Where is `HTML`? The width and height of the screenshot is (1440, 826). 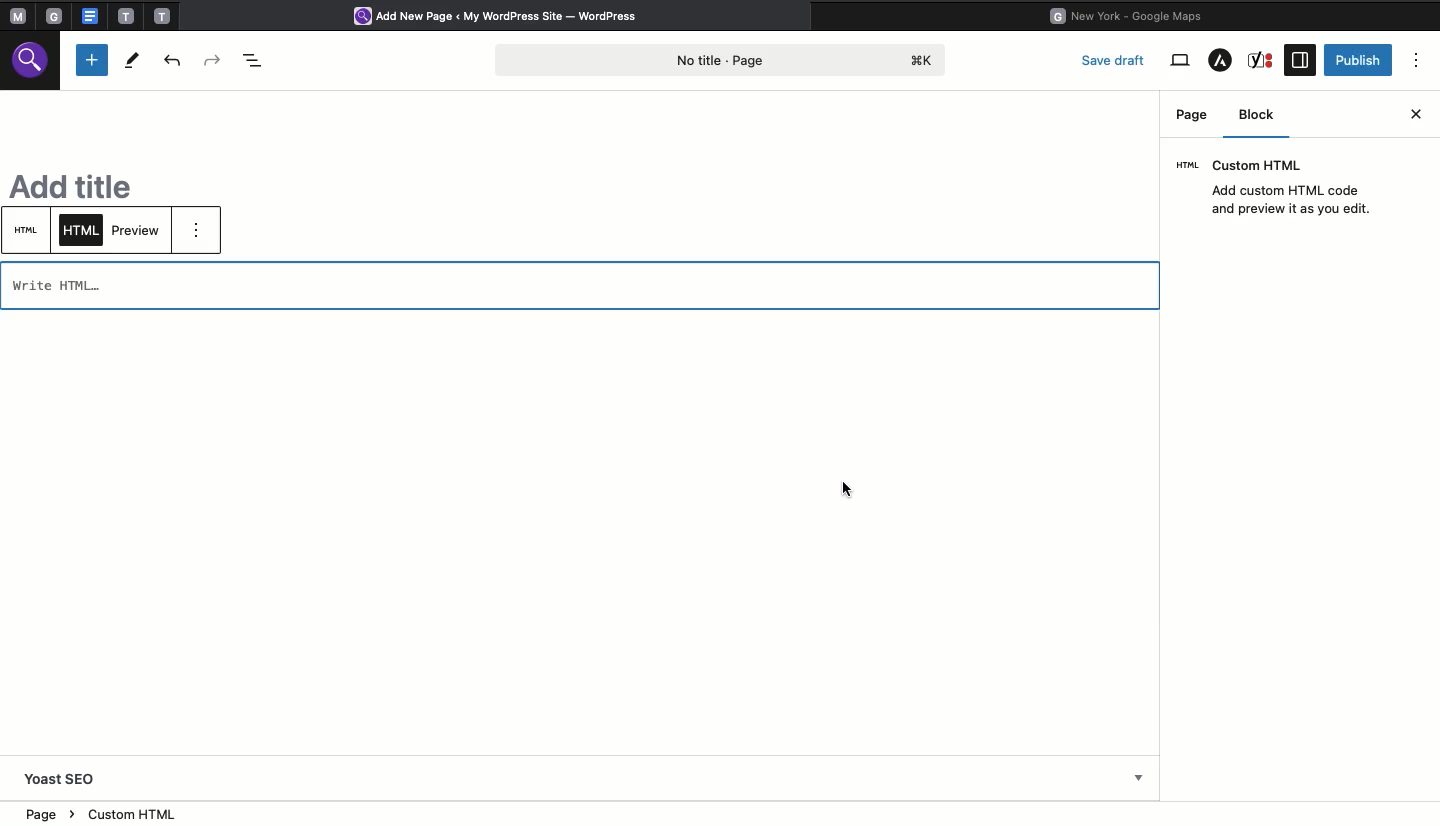 HTML is located at coordinates (82, 231).